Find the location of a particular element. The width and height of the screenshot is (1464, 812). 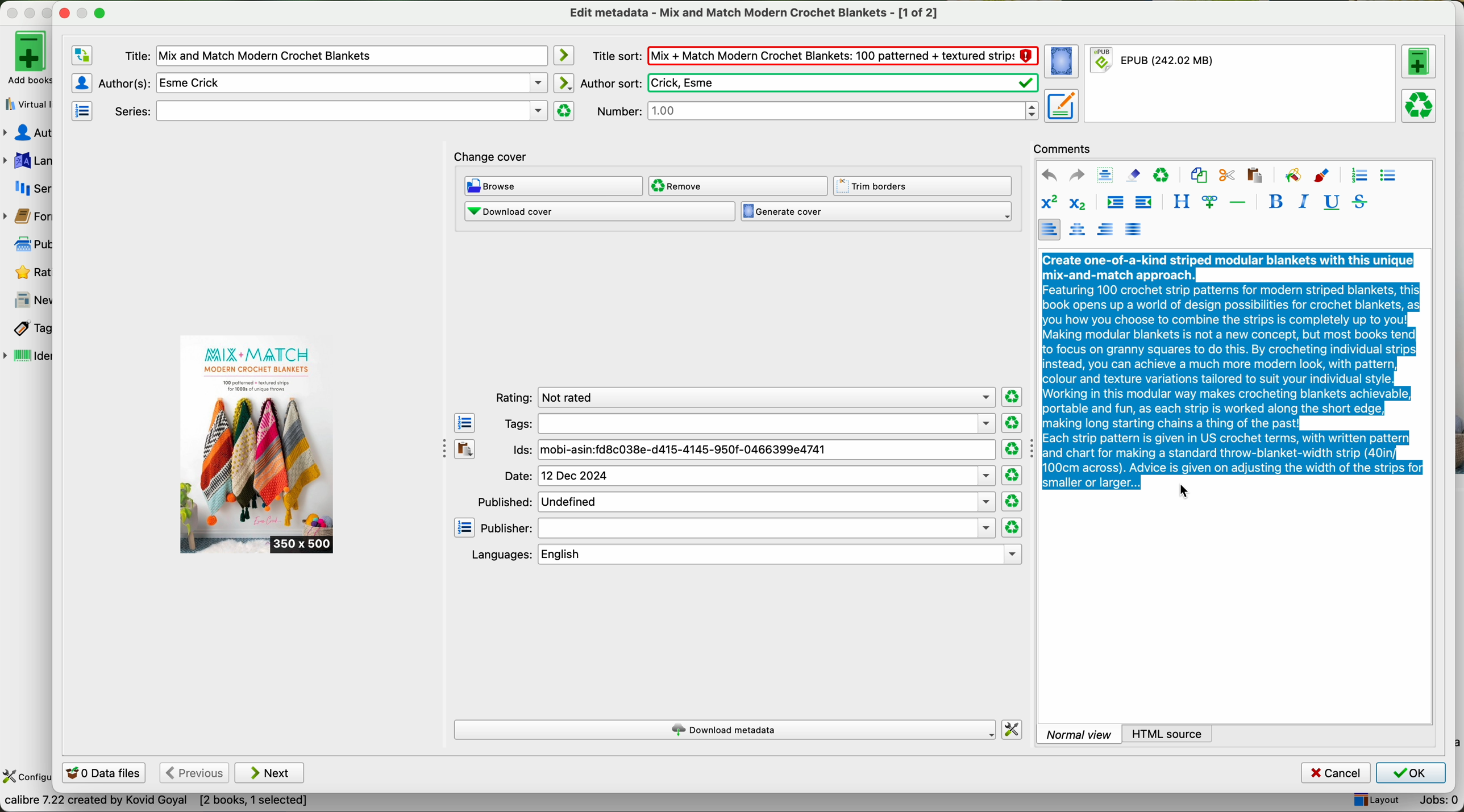

HTML source is located at coordinates (1168, 733).